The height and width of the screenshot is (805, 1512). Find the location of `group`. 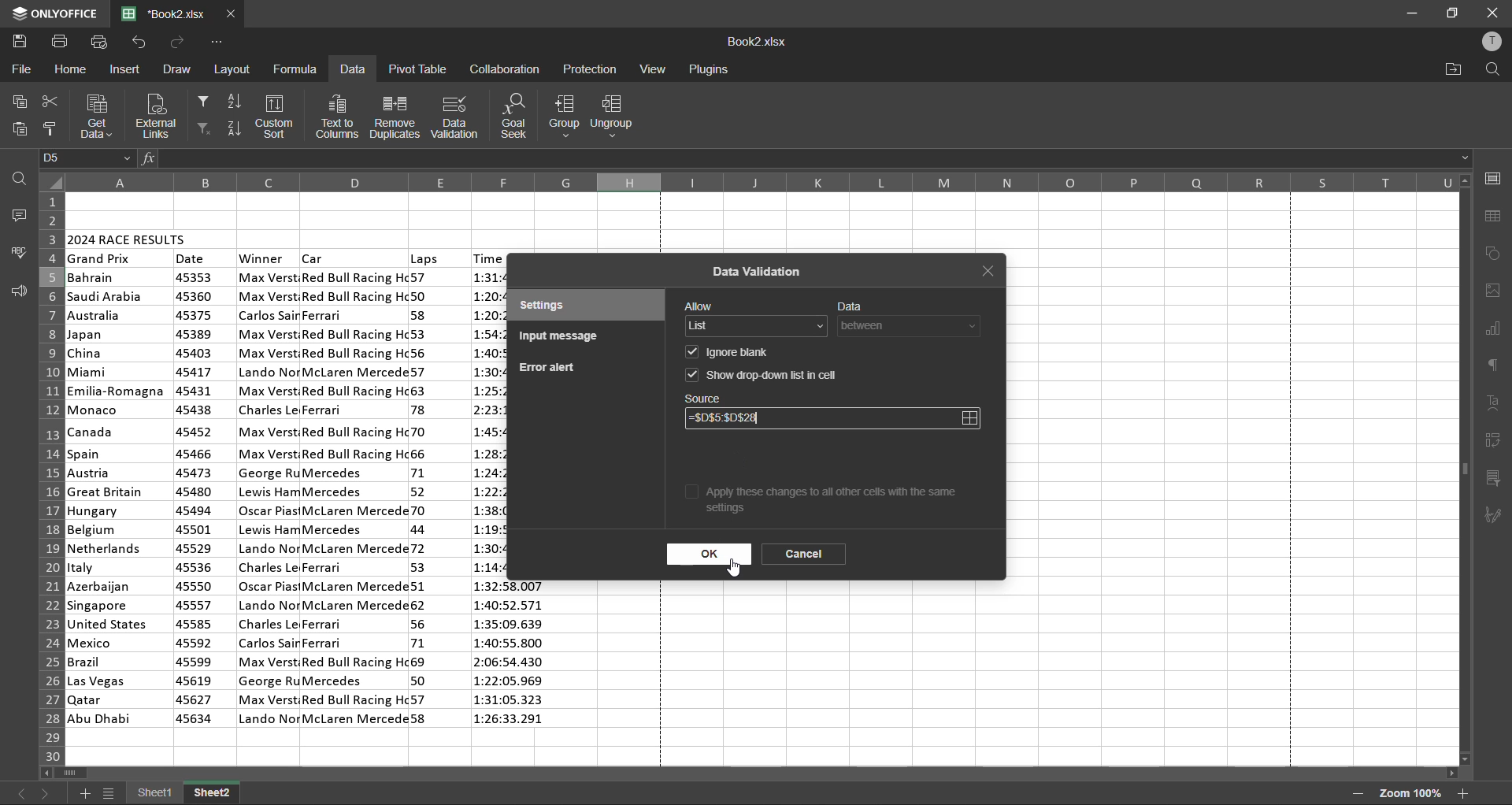

group is located at coordinates (565, 117).